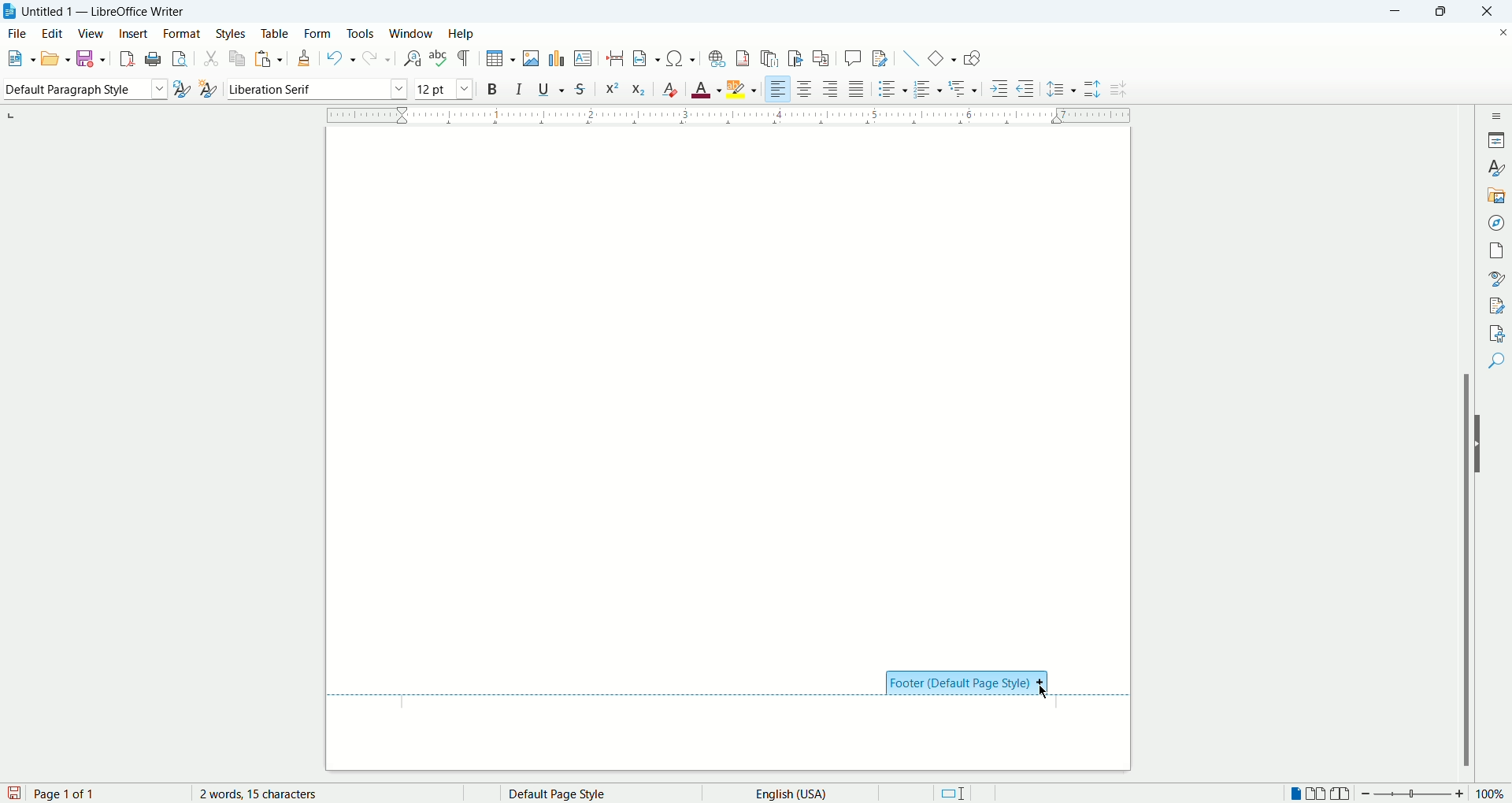 This screenshot has width=1512, height=803. I want to click on scroll bar, so click(1469, 442).